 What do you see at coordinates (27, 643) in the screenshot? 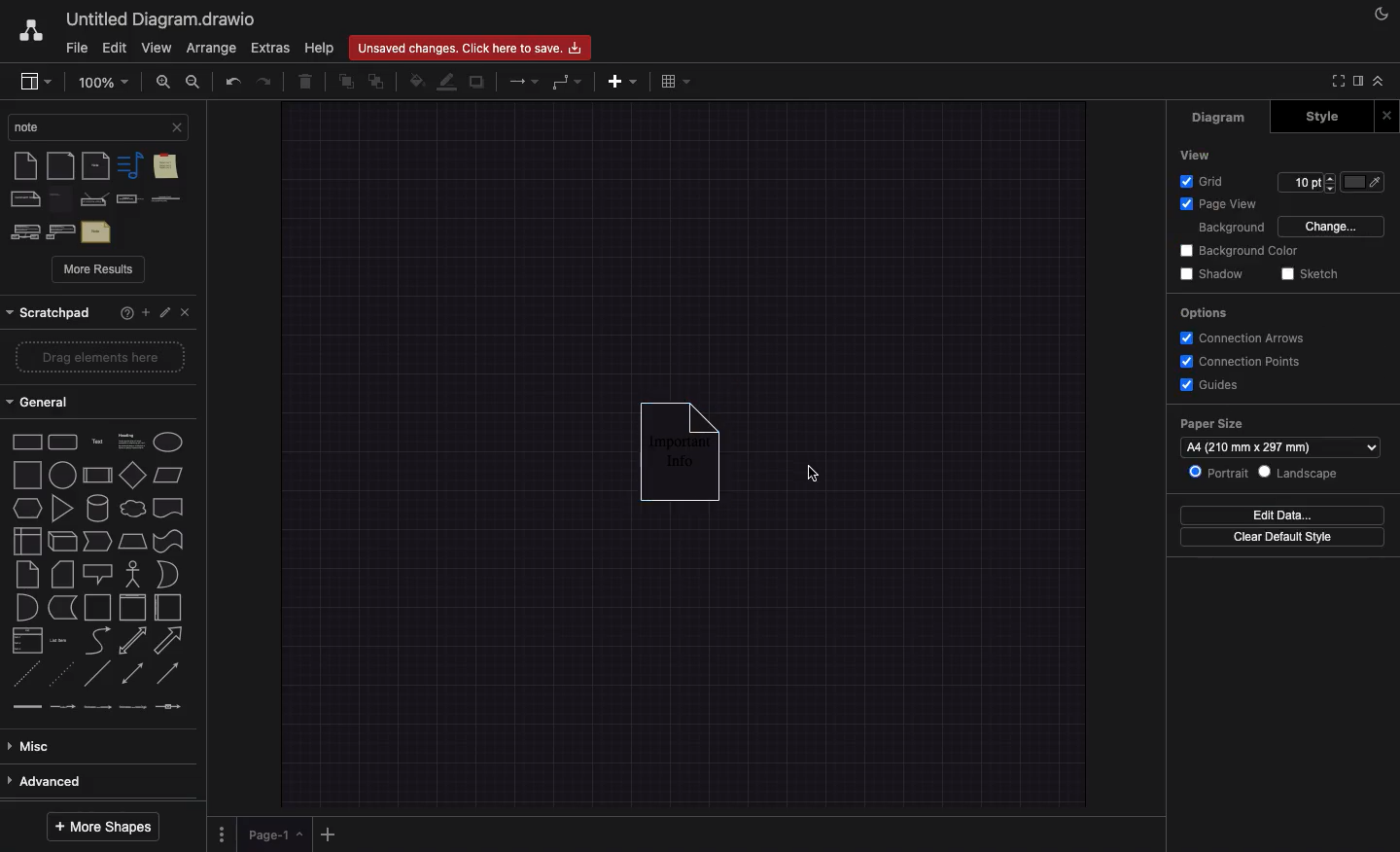
I see `list` at bounding box center [27, 643].